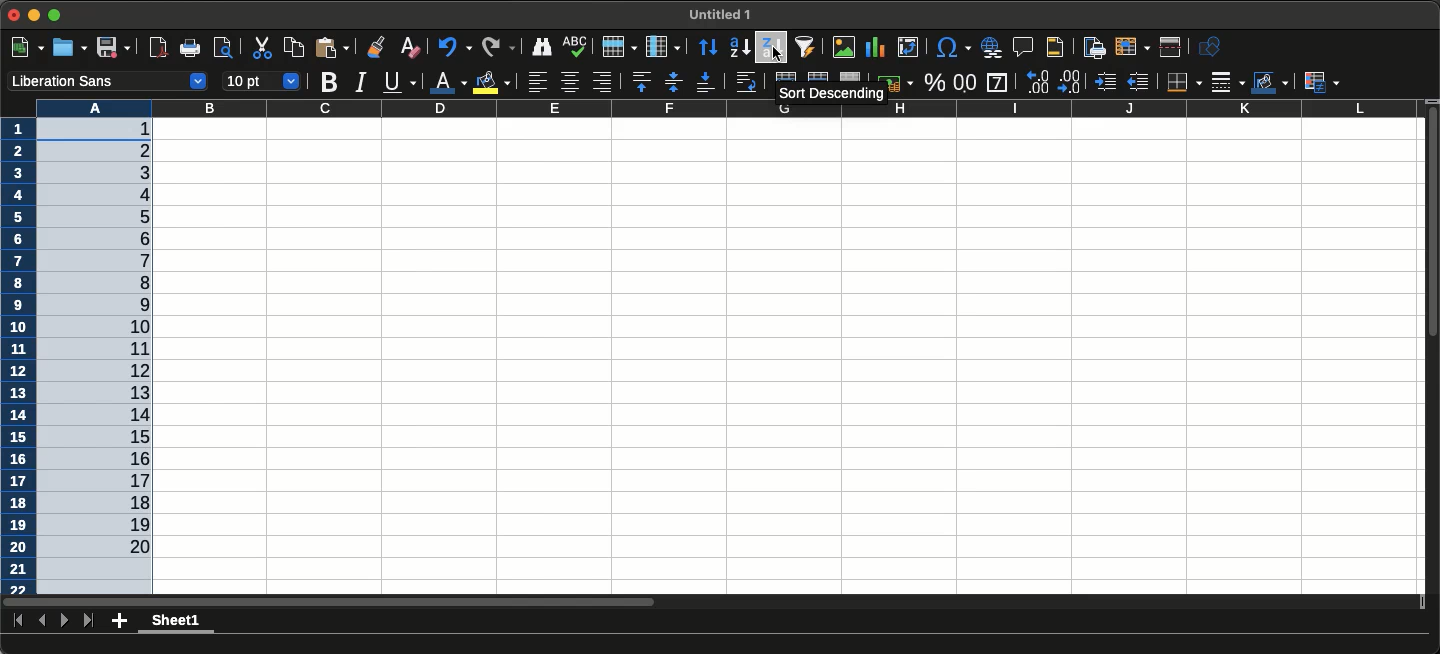 The height and width of the screenshot is (654, 1440). Describe the element at coordinates (1091, 47) in the screenshot. I see `Define print area` at that location.